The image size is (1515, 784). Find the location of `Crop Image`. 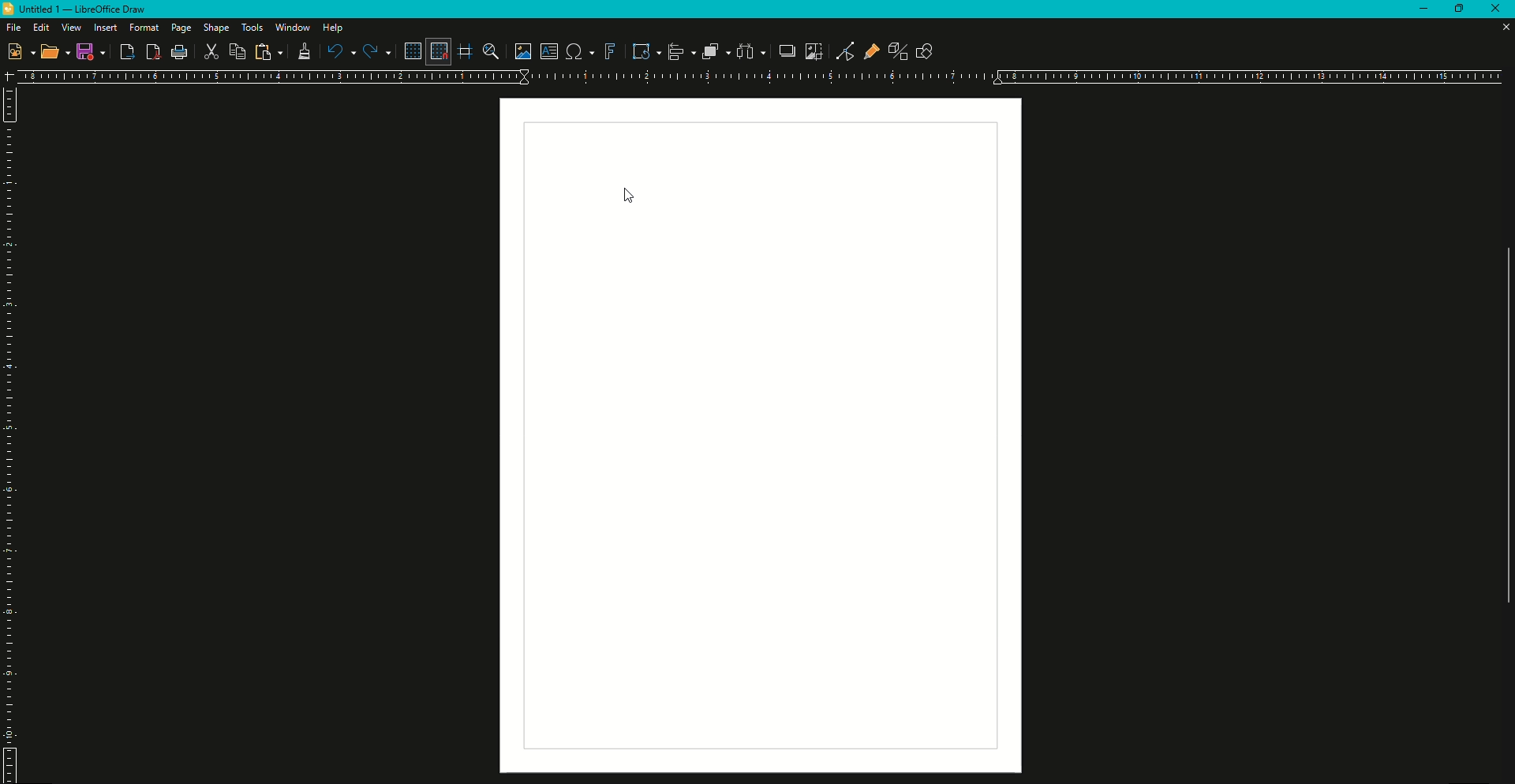

Crop Image is located at coordinates (814, 52).